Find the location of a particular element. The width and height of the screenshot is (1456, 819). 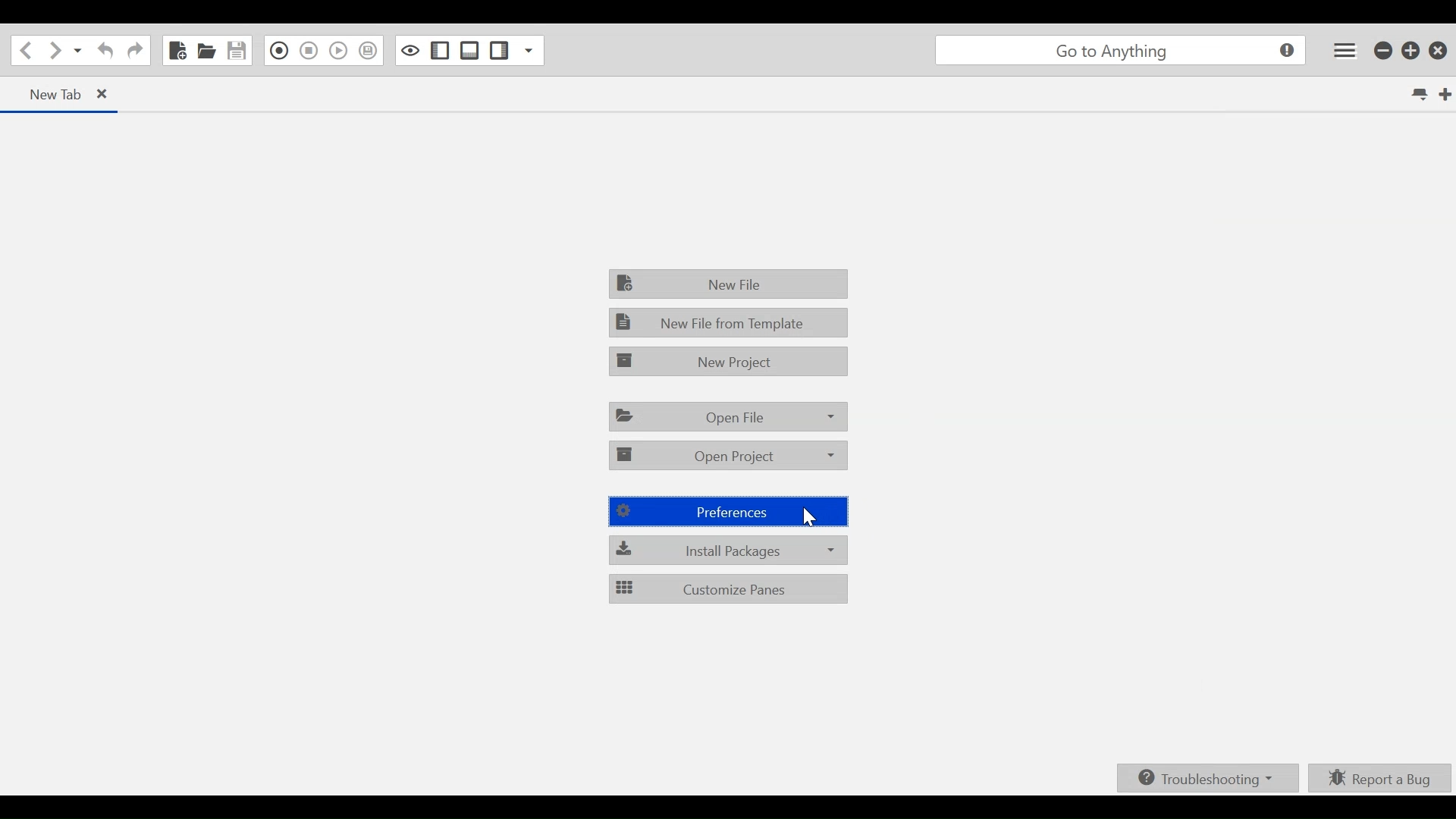

Recent location is located at coordinates (78, 52).